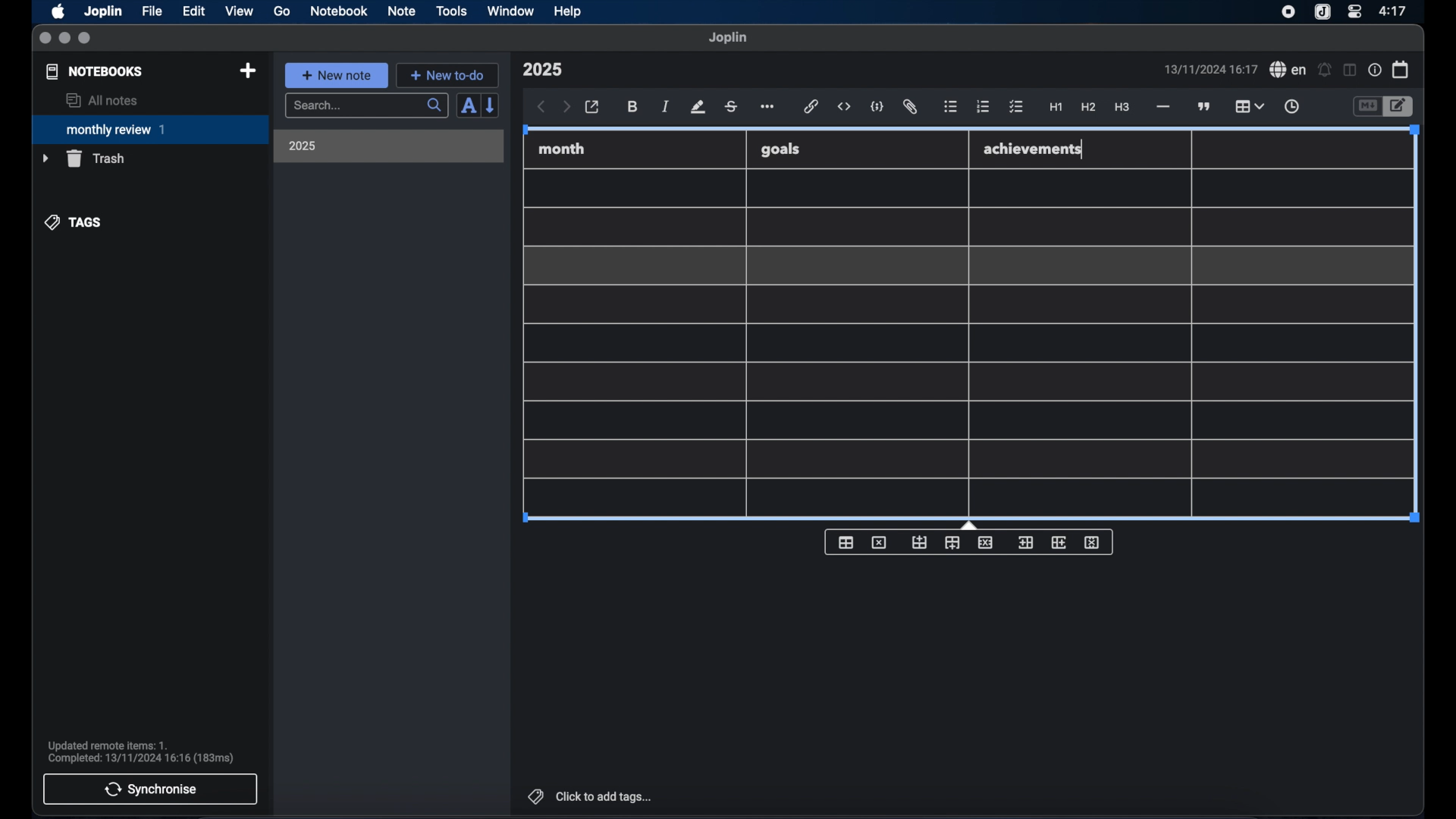 The image size is (1456, 819). What do you see at coordinates (339, 11) in the screenshot?
I see `notebook` at bounding box center [339, 11].